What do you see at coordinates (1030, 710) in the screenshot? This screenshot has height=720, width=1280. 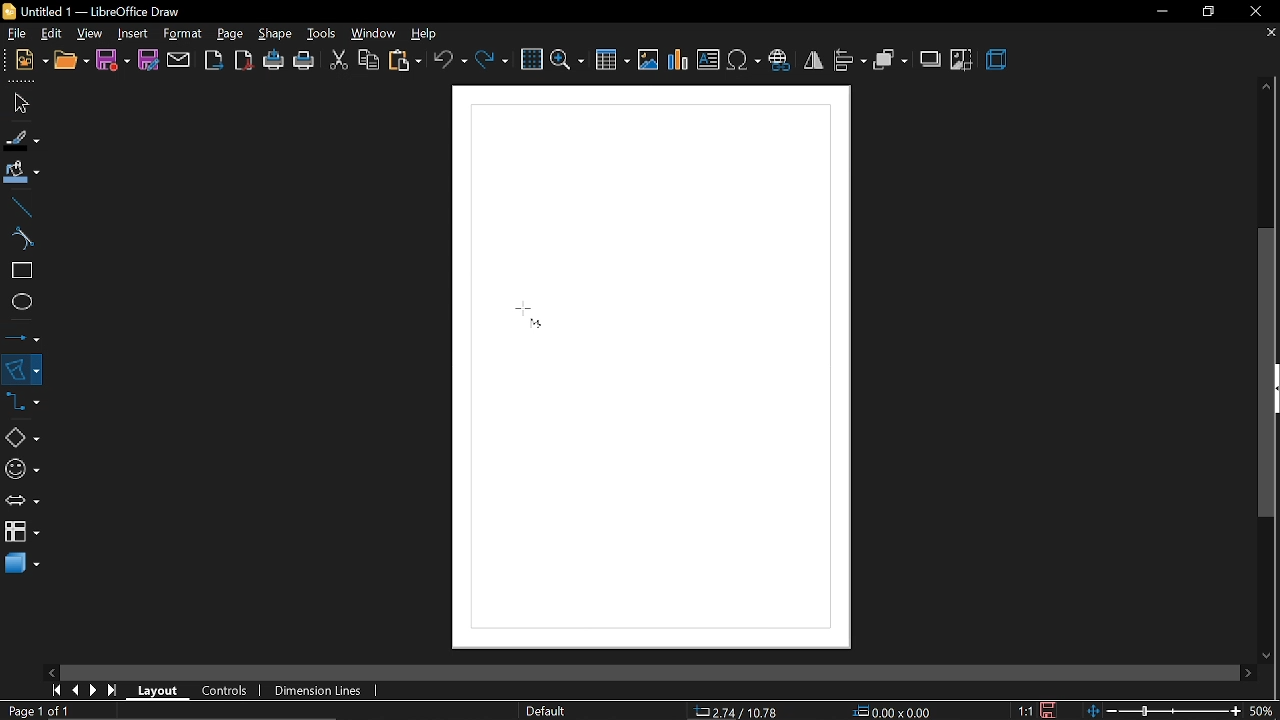 I see `scaling factor` at bounding box center [1030, 710].